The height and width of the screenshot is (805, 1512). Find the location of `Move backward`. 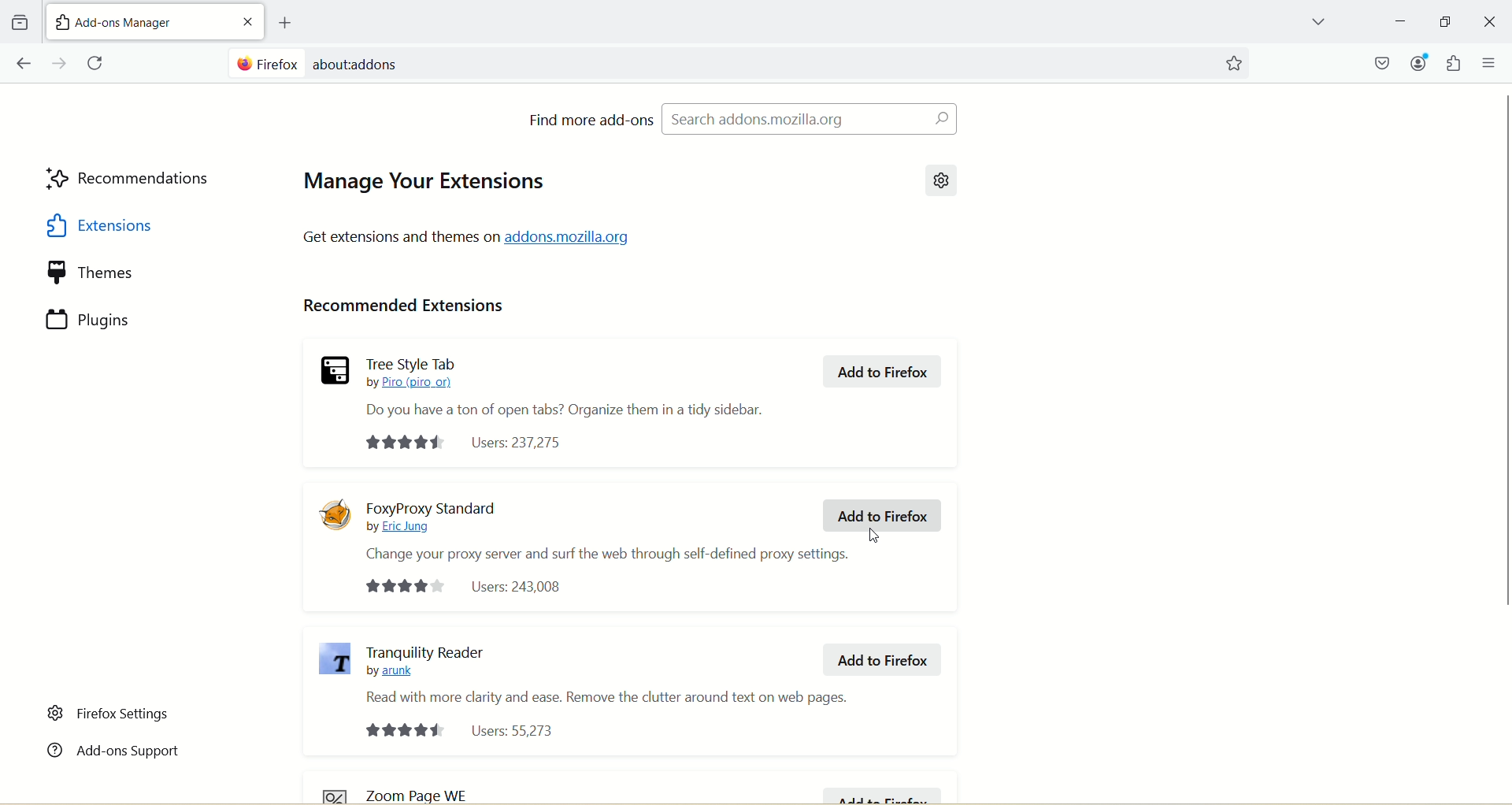

Move backward is located at coordinates (23, 63).